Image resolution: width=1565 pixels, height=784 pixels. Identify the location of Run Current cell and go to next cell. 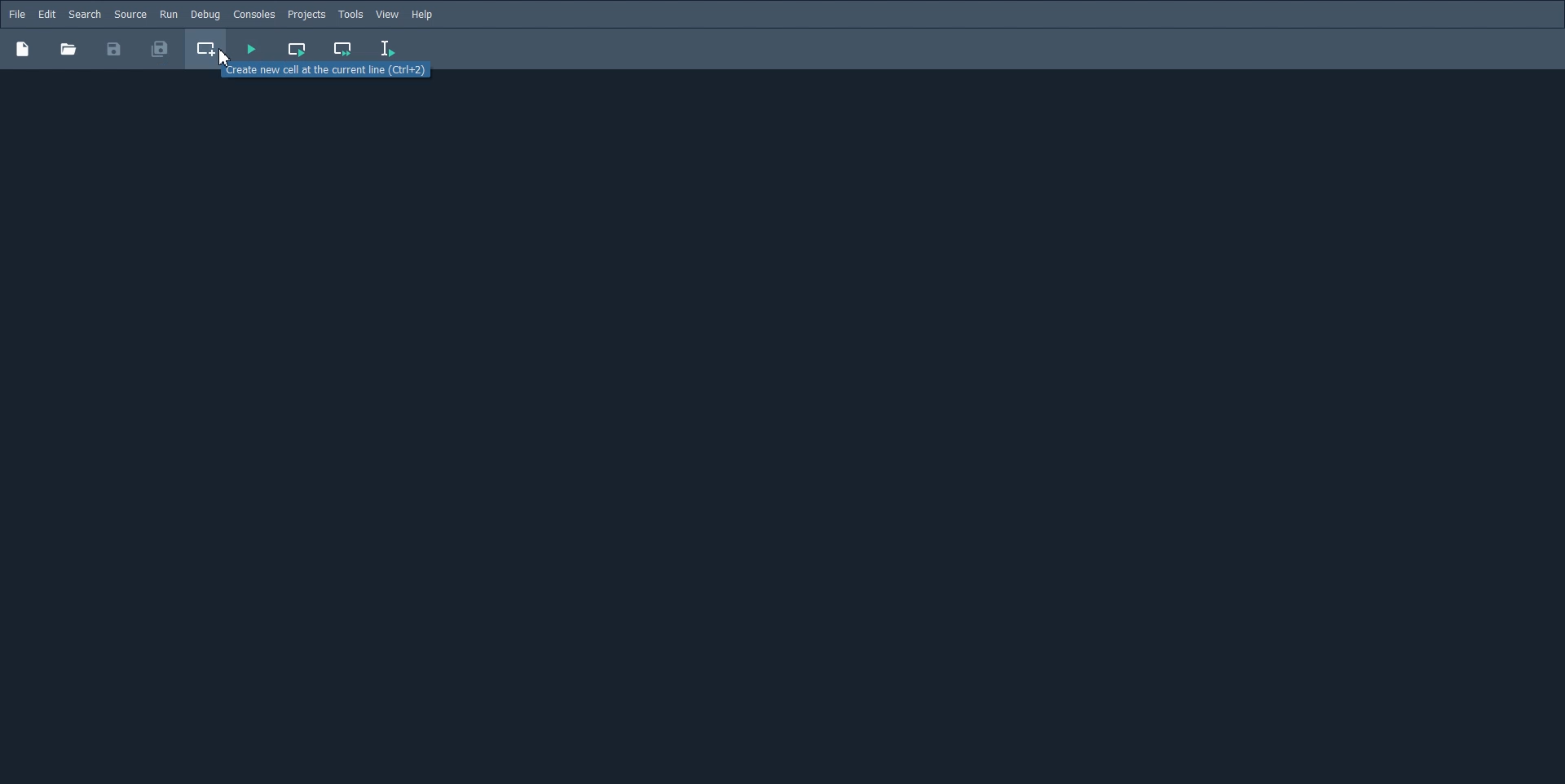
(344, 50).